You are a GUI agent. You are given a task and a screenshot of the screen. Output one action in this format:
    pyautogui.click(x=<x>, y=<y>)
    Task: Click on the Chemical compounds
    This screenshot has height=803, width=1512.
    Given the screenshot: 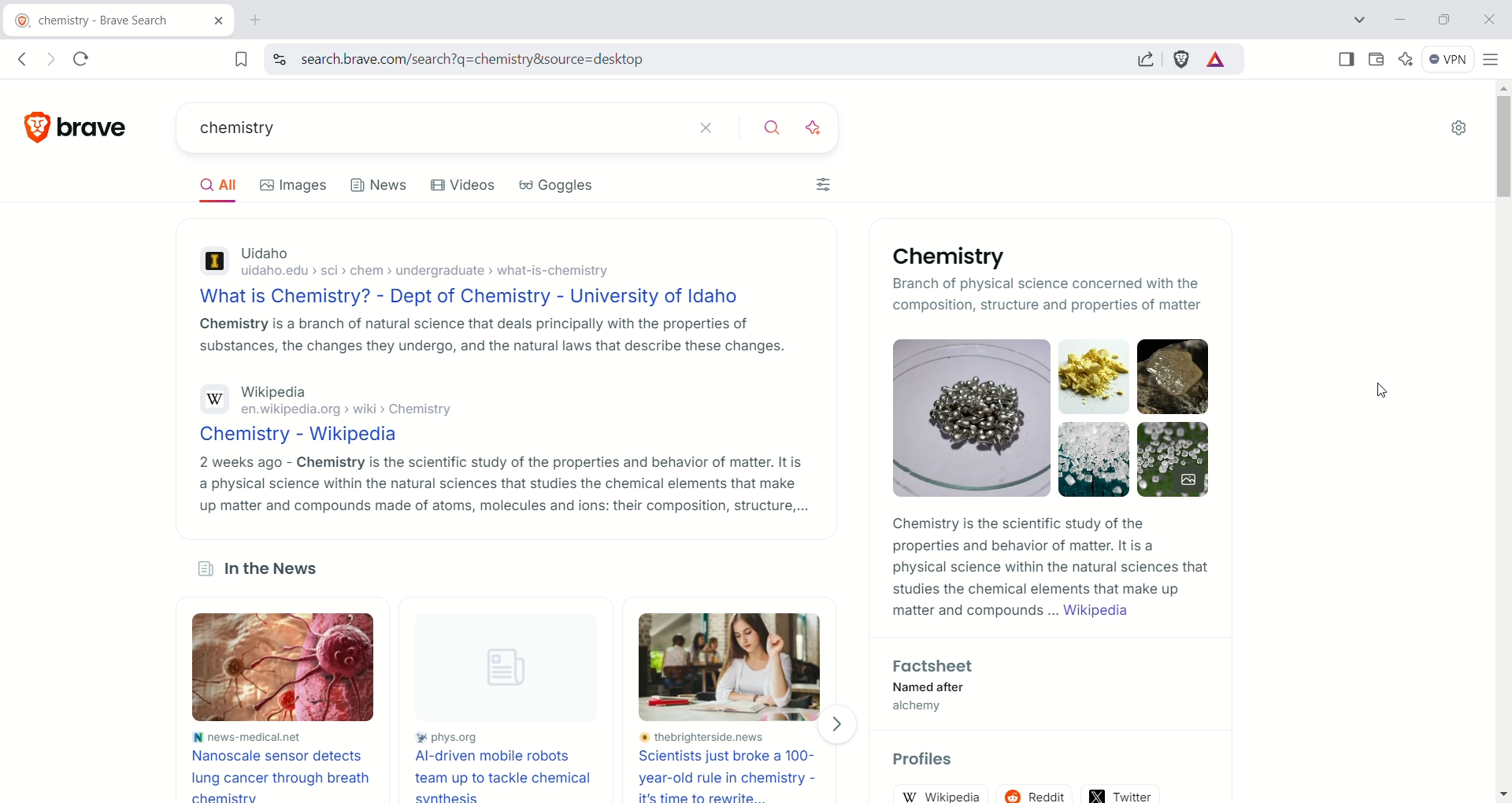 What is the action you would take?
    pyautogui.click(x=1054, y=417)
    